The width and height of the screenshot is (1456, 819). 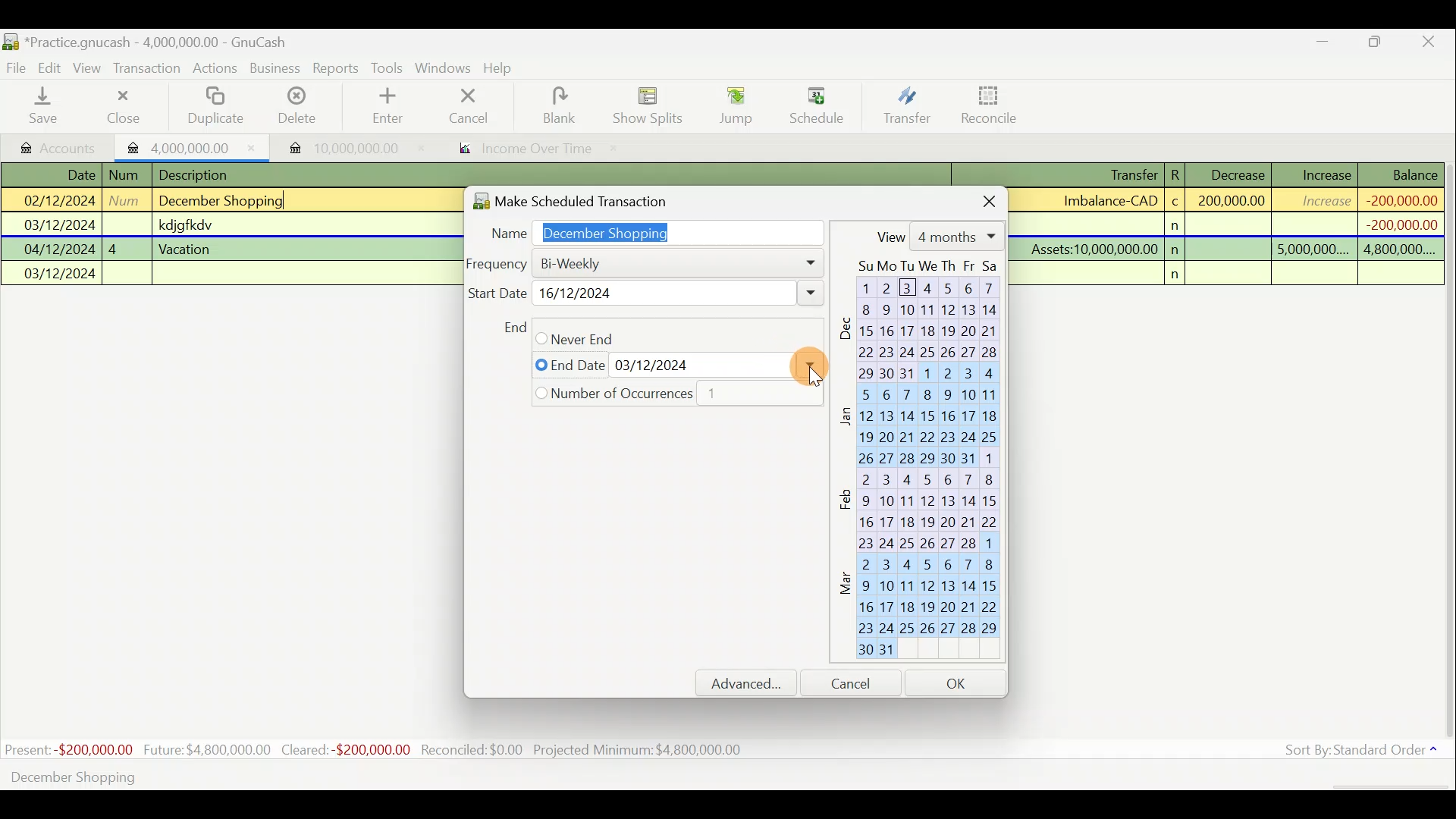 What do you see at coordinates (215, 71) in the screenshot?
I see `Actions` at bounding box center [215, 71].